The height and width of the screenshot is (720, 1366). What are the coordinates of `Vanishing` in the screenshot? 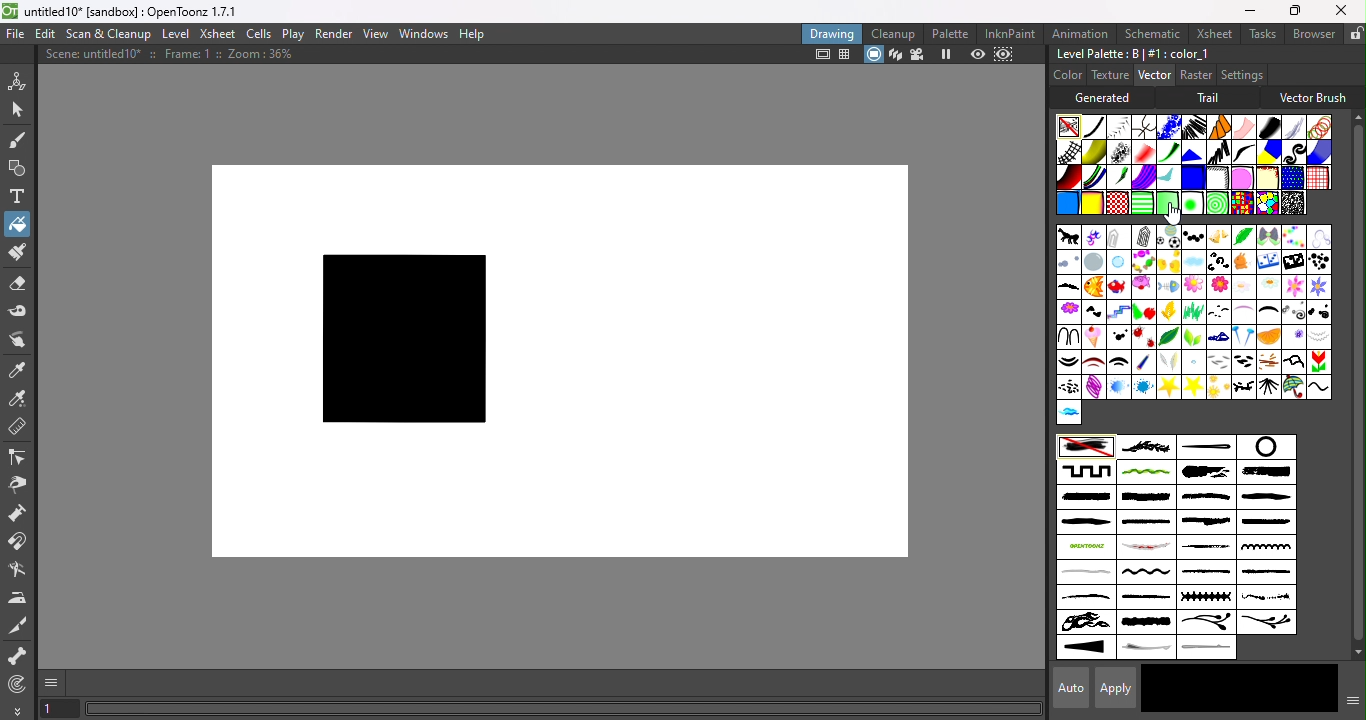 It's located at (1268, 125).